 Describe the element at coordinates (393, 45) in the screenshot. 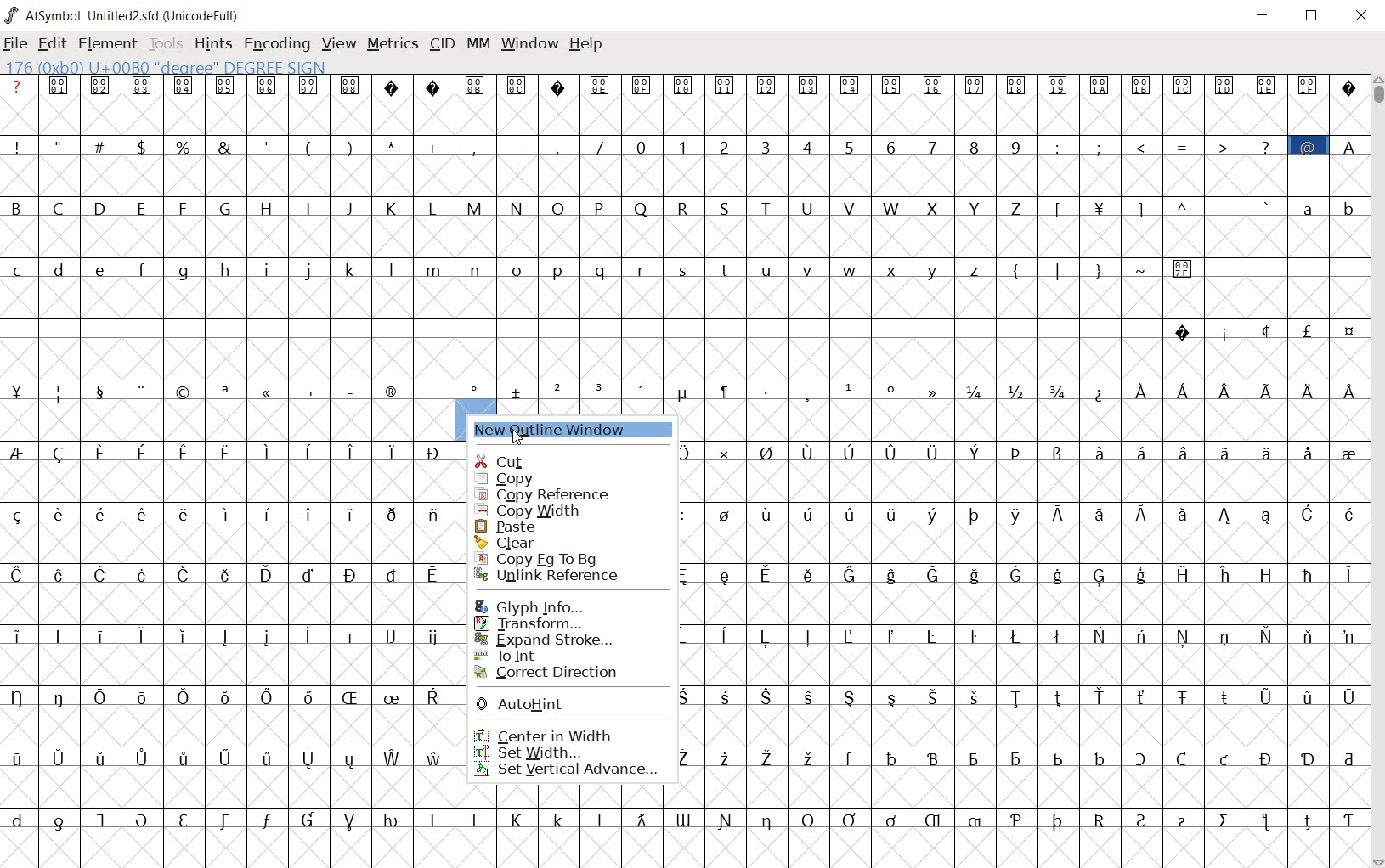

I see `metrics` at that location.